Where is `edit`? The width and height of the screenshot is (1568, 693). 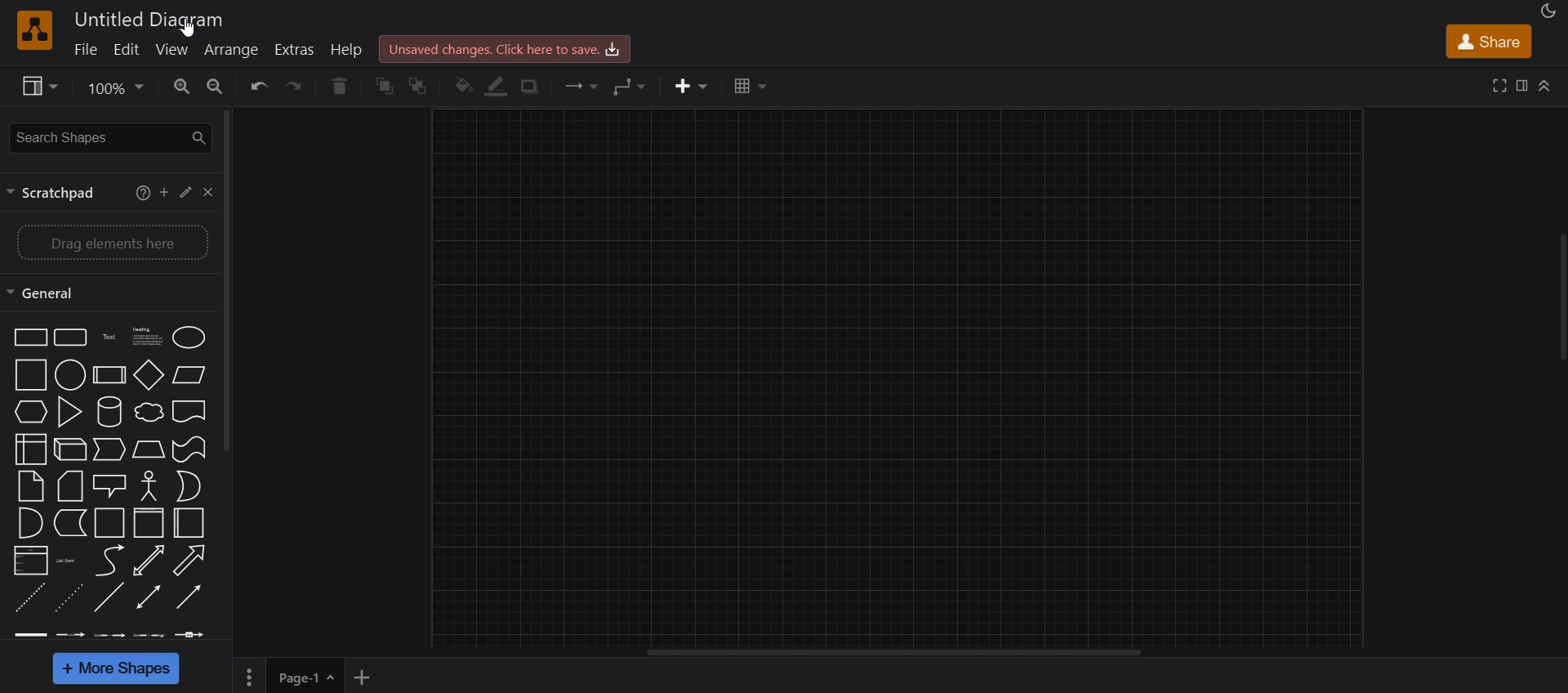
edit is located at coordinates (127, 51).